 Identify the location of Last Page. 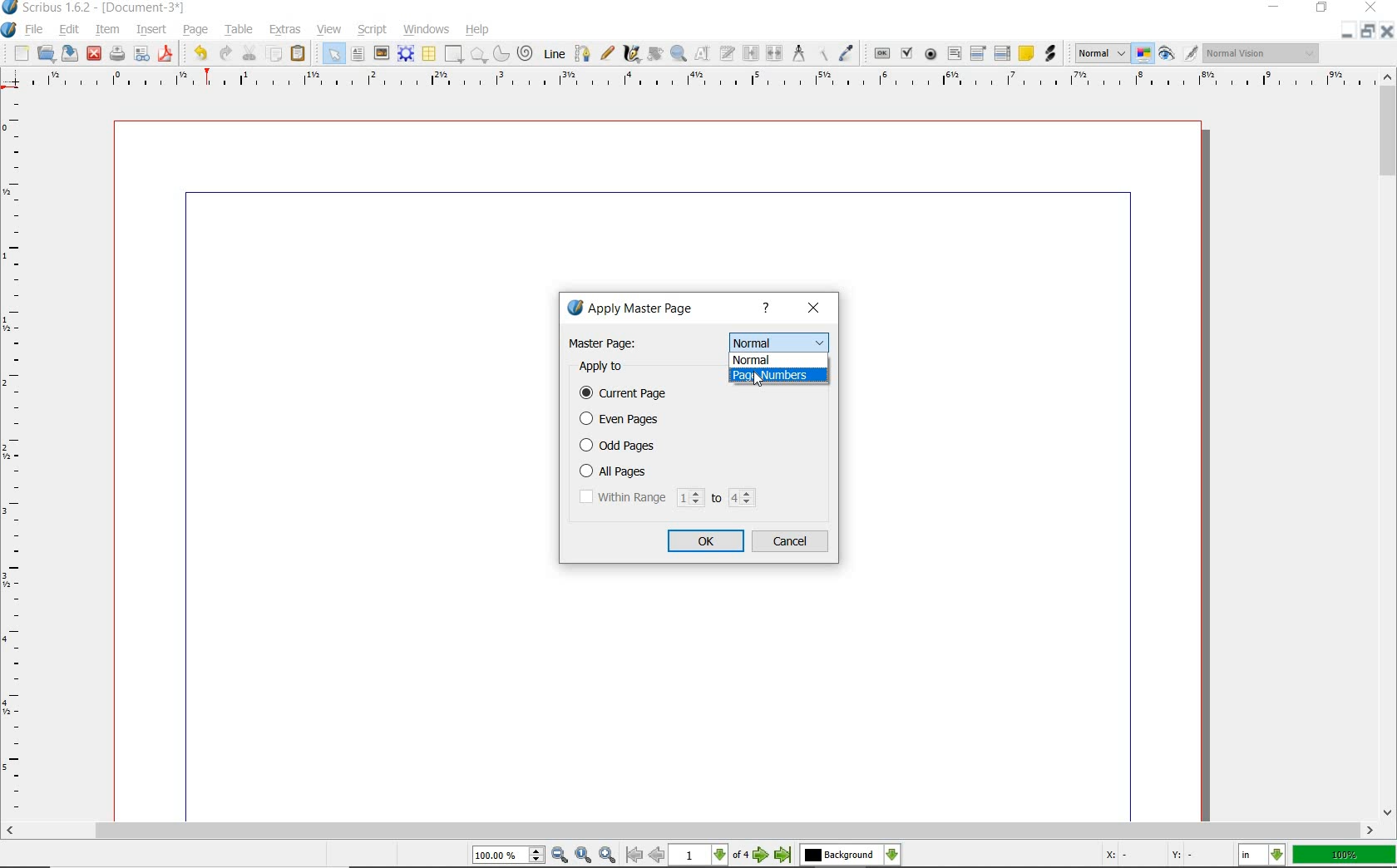
(783, 857).